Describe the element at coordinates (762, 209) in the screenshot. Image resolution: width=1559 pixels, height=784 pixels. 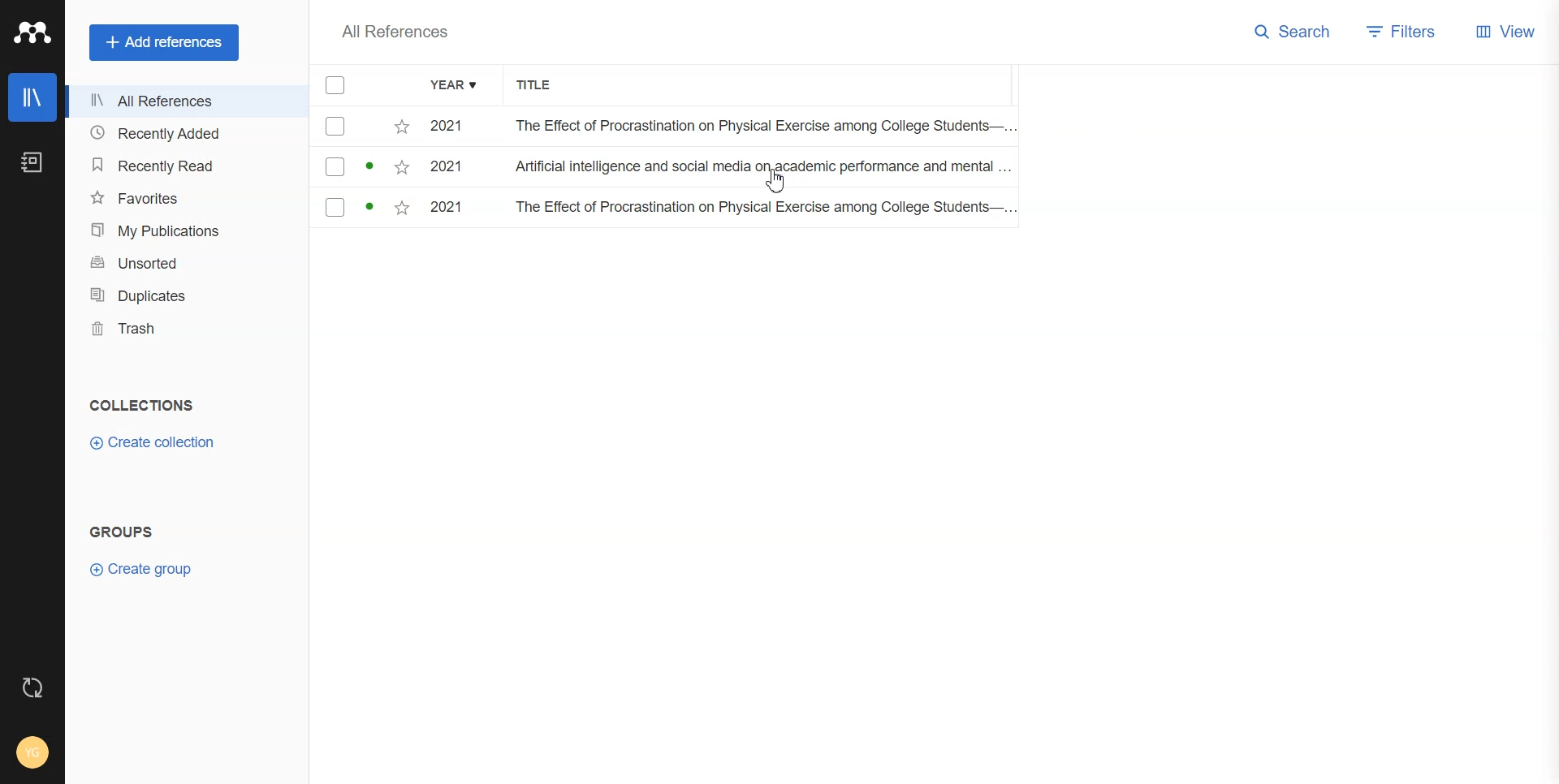
I see `The Effect of Procrastination on Physical Exercise among College Students...` at that location.